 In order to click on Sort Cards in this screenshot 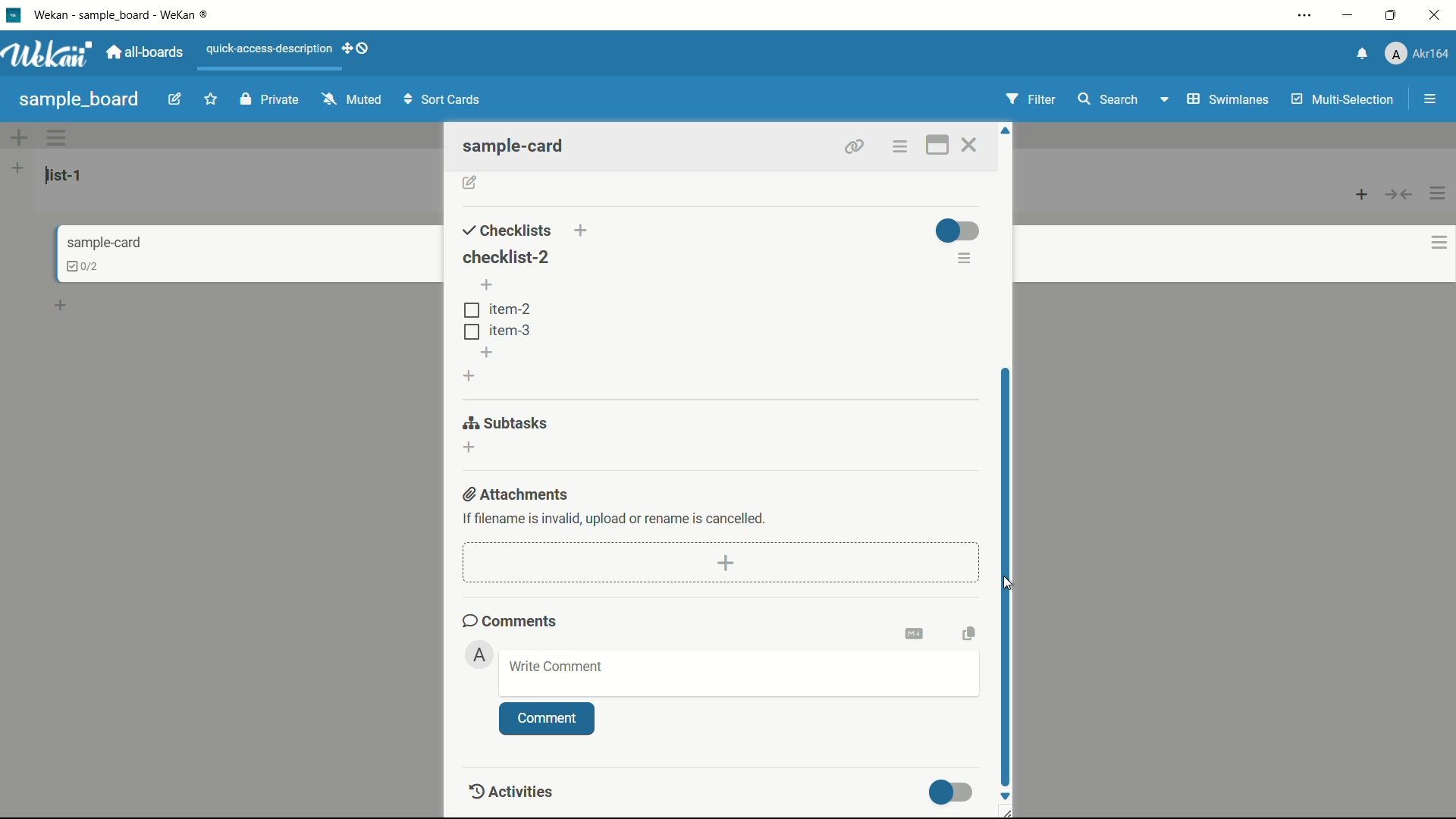, I will do `click(445, 99)`.